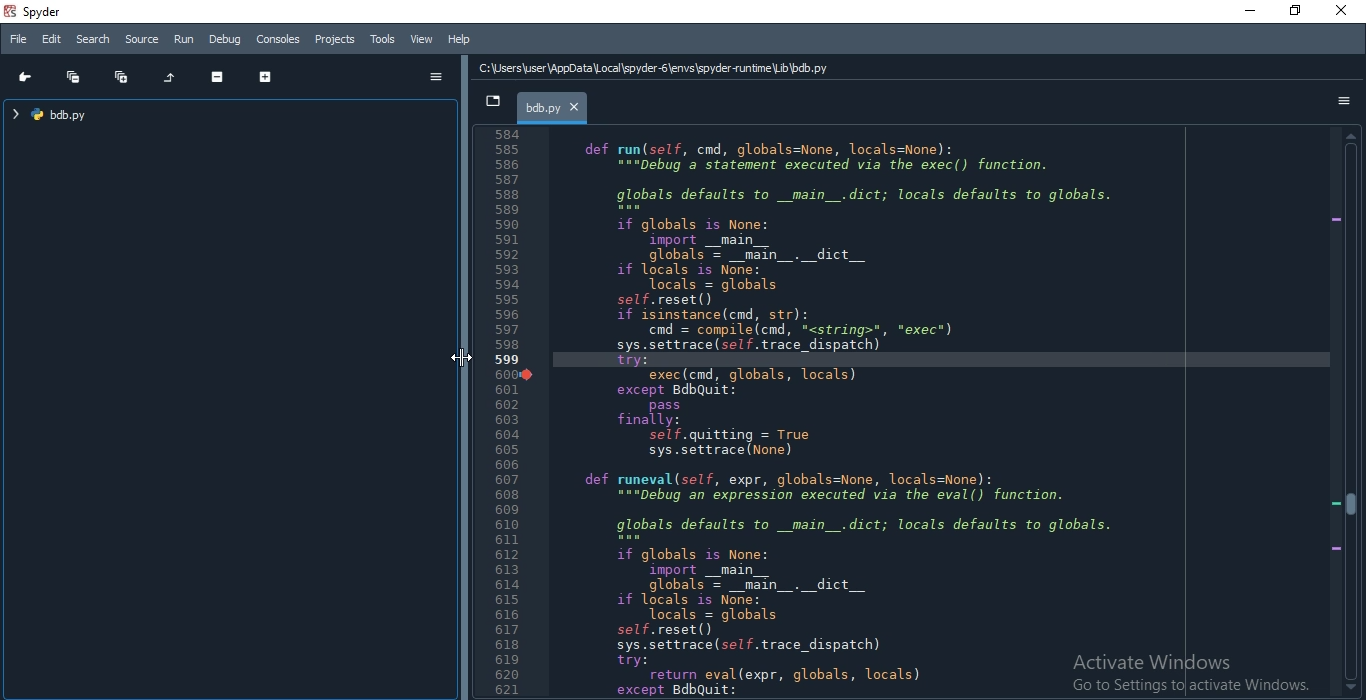  What do you see at coordinates (510, 413) in the screenshot?
I see `Line Number` at bounding box center [510, 413].